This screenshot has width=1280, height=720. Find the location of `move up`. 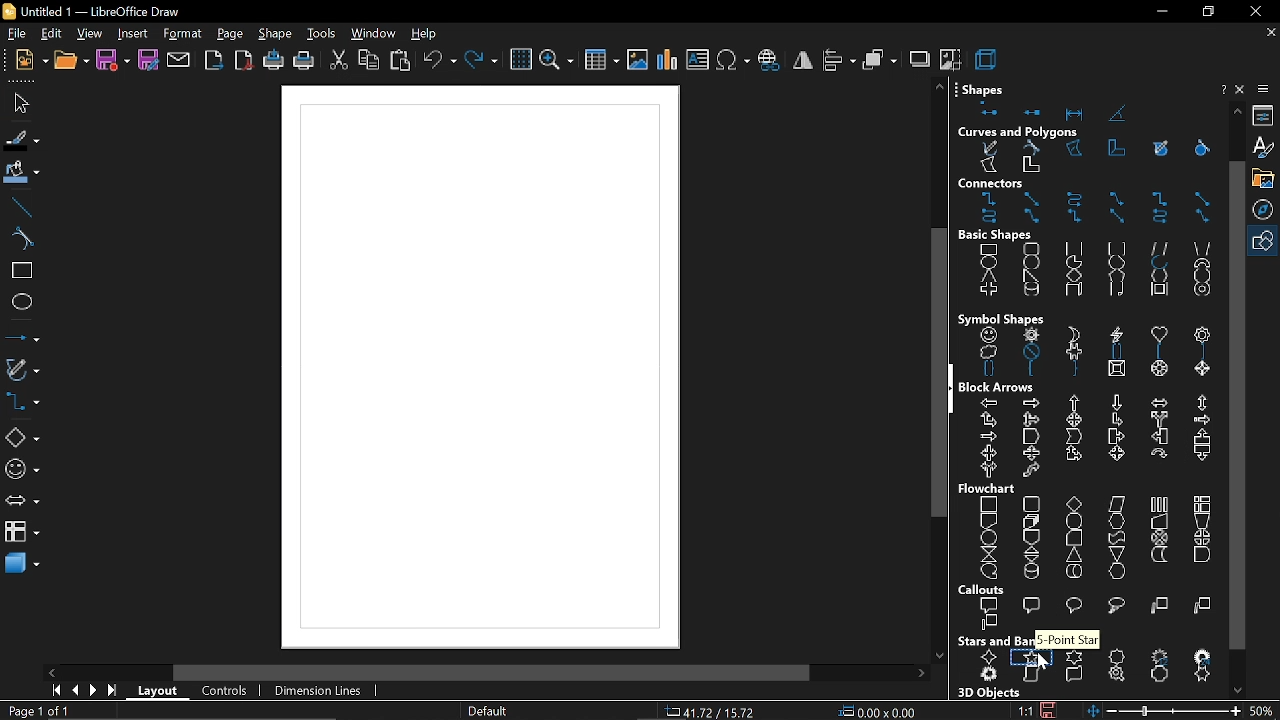

move up is located at coordinates (940, 88).